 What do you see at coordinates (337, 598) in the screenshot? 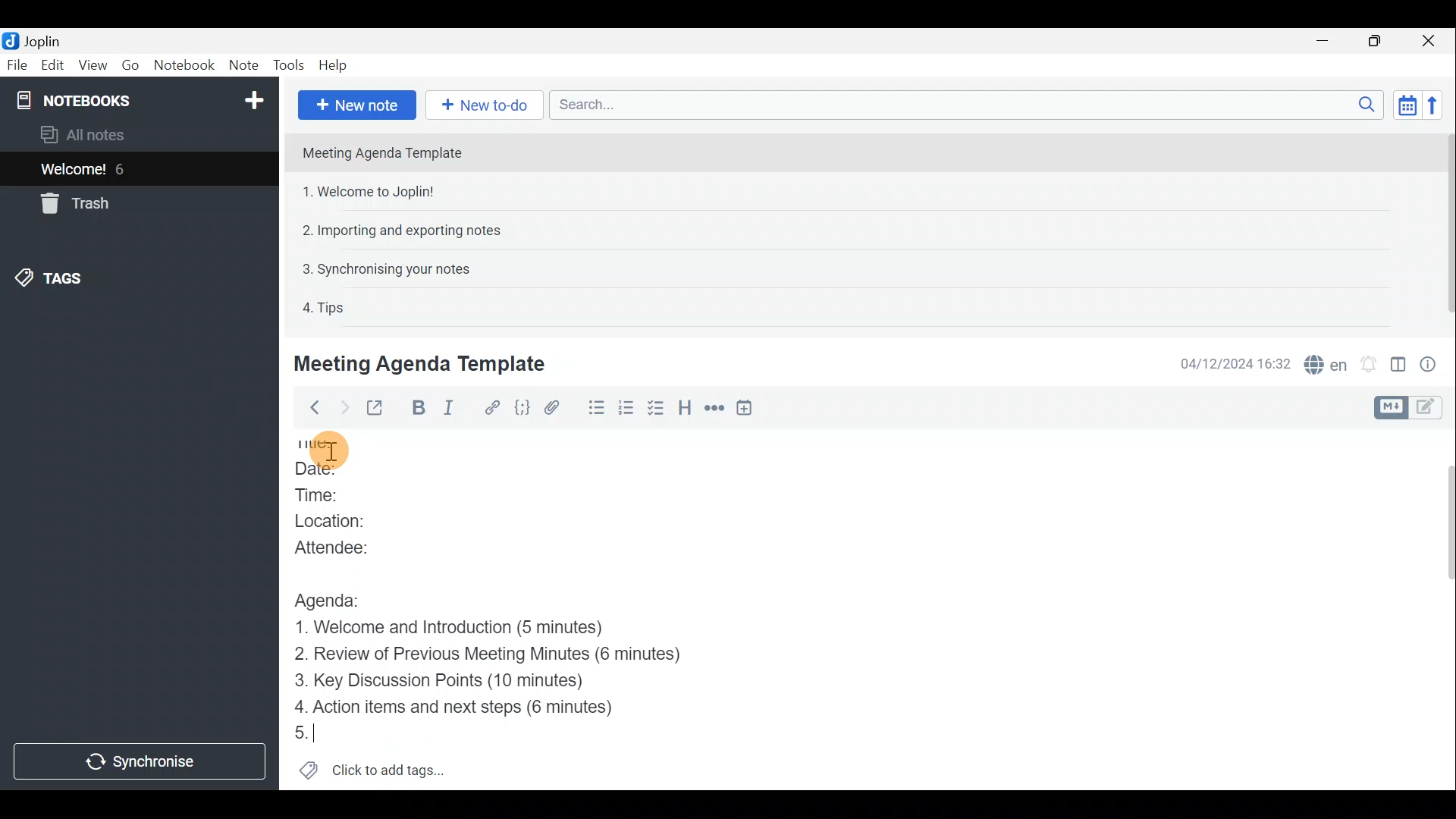
I see `Agenda:` at bounding box center [337, 598].